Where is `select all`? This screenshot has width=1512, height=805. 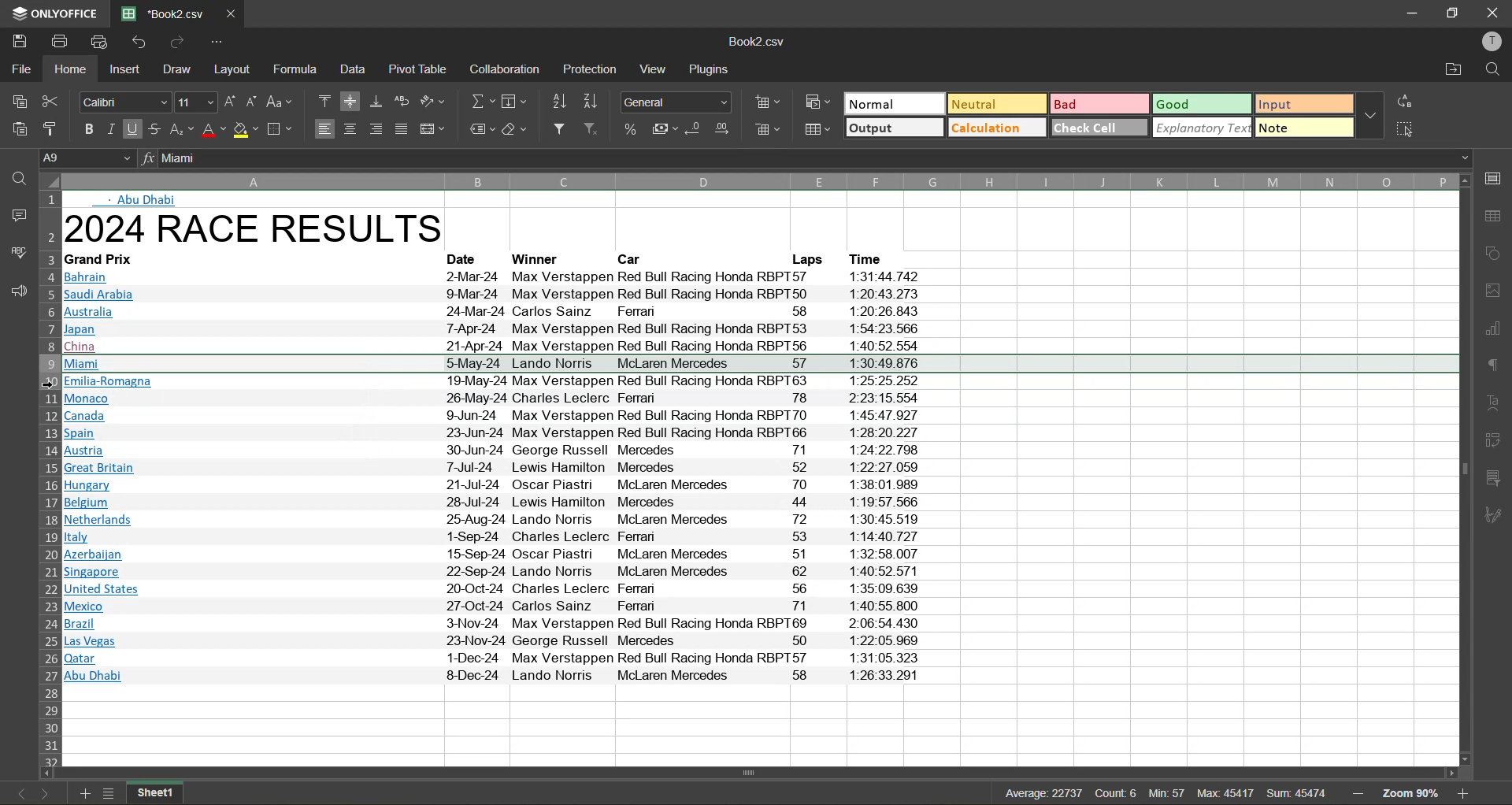
select all is located at coordinates (1406, 129).